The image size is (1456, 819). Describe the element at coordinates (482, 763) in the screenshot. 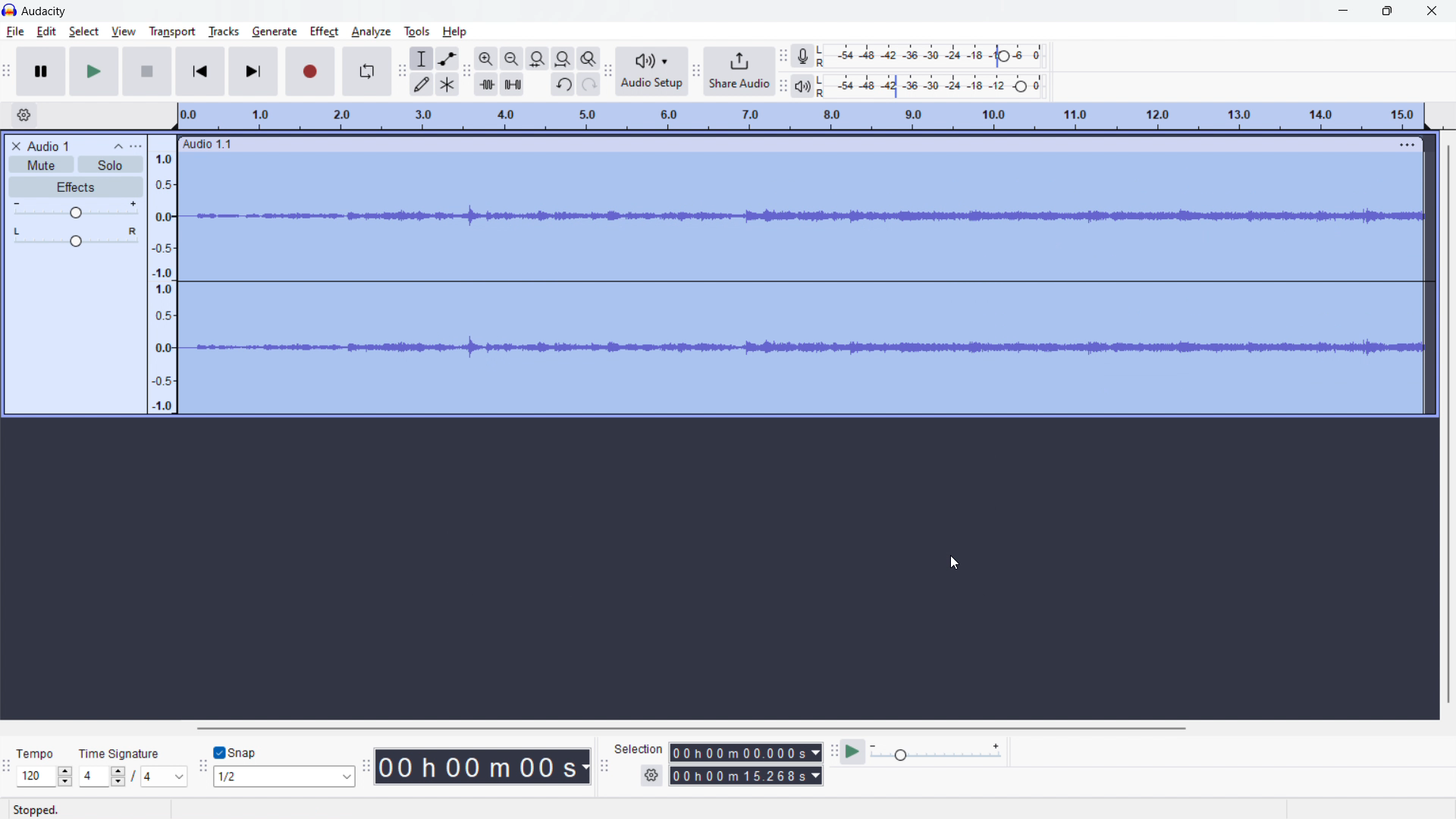

I see `00 h 00 m 00 s` at that location.